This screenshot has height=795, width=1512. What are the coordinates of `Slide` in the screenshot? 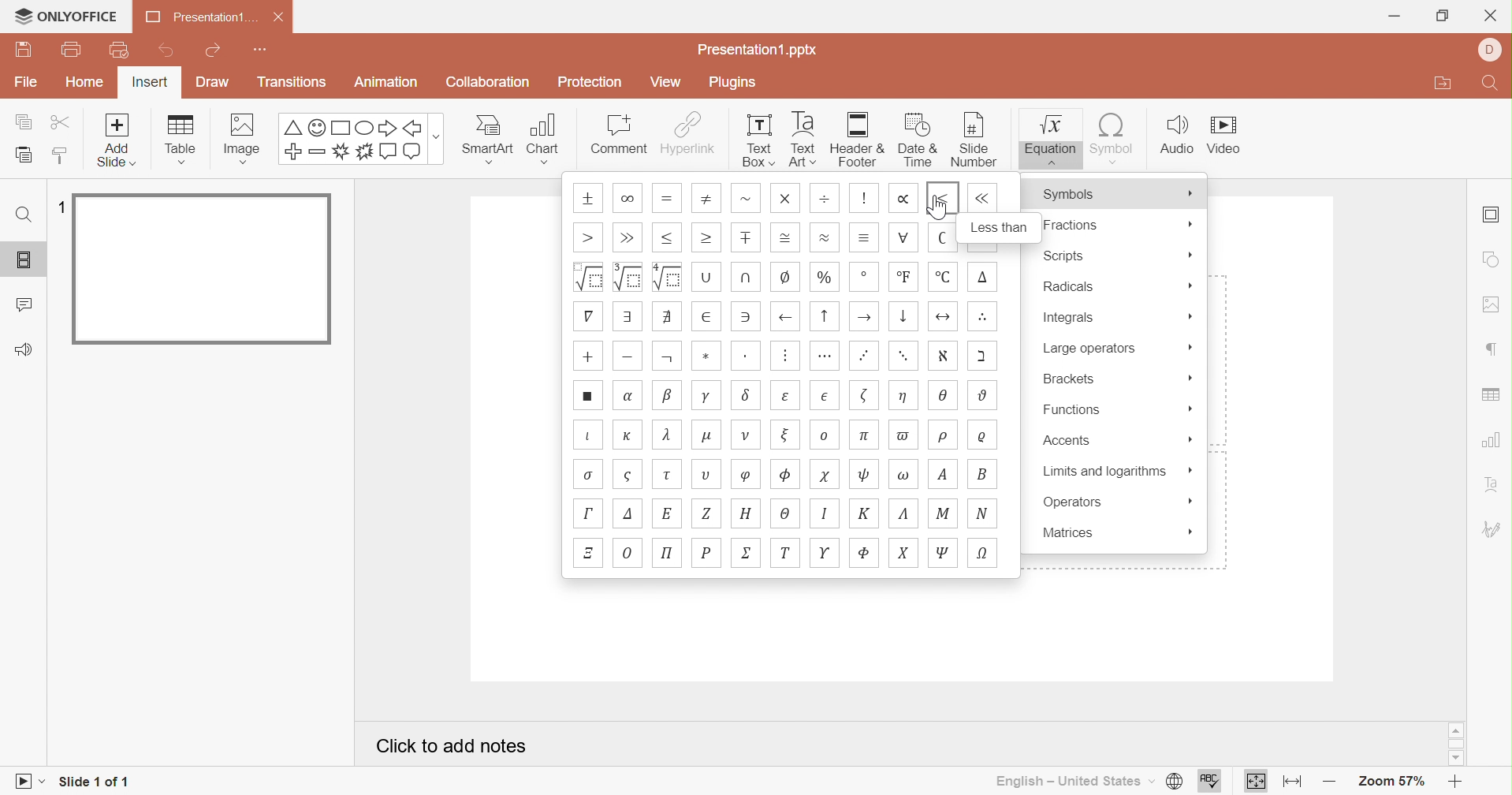 It's located at (203, 271).